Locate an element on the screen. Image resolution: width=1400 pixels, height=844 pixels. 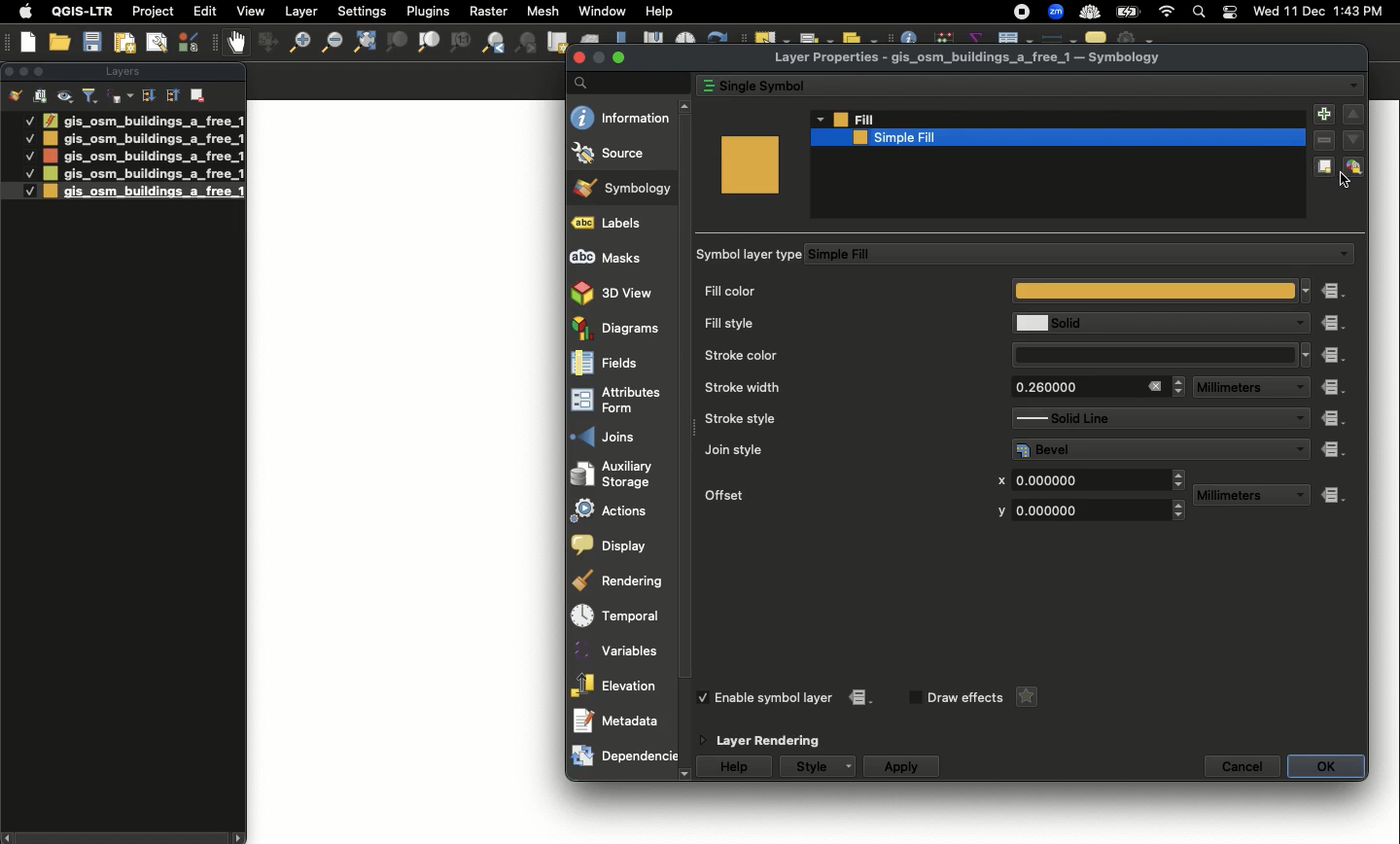
 is located at coordinates (1093, 14).